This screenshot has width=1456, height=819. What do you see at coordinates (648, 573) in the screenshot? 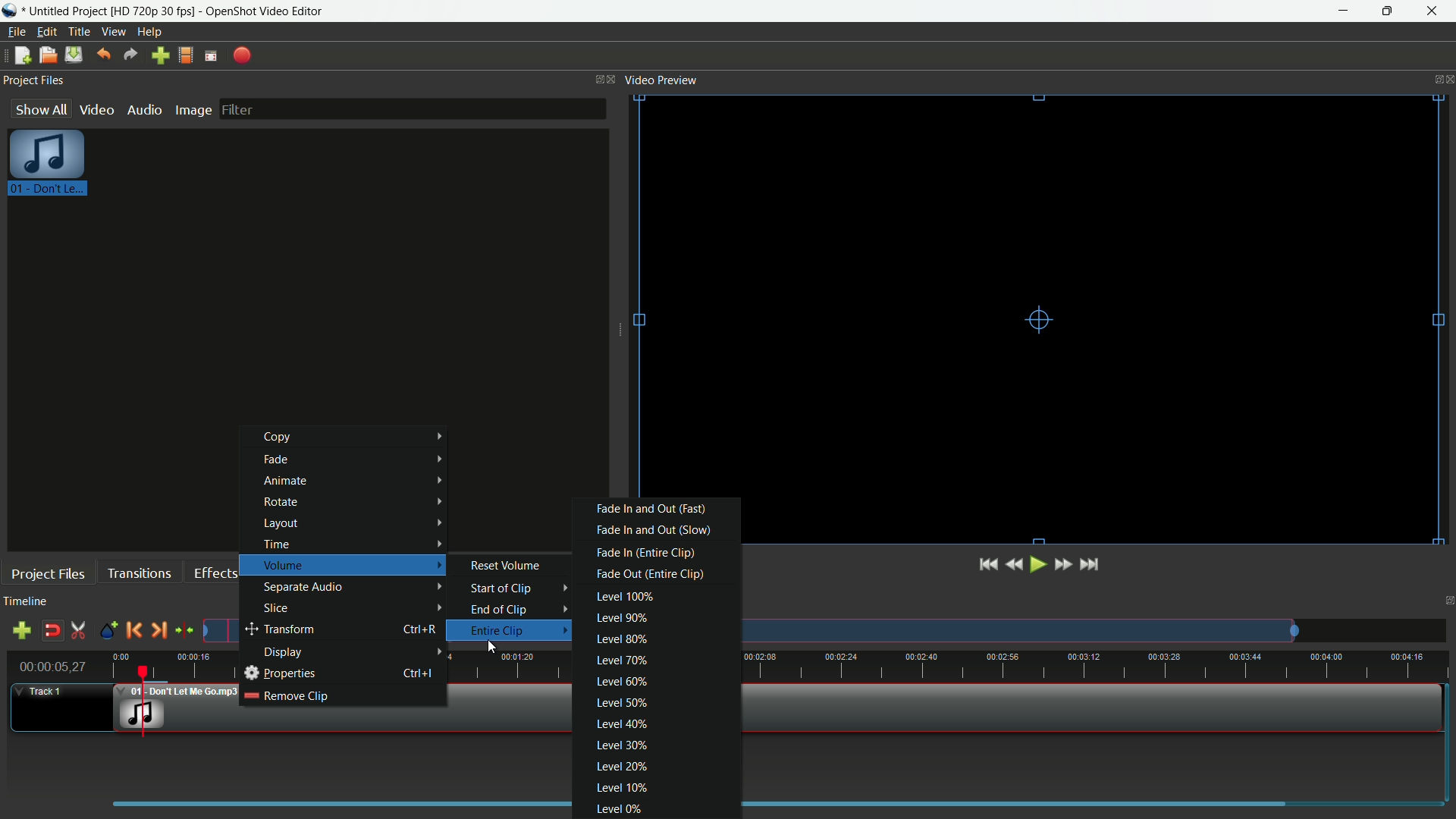
I see `fade out entire clip` at bounding box center [648, 573].